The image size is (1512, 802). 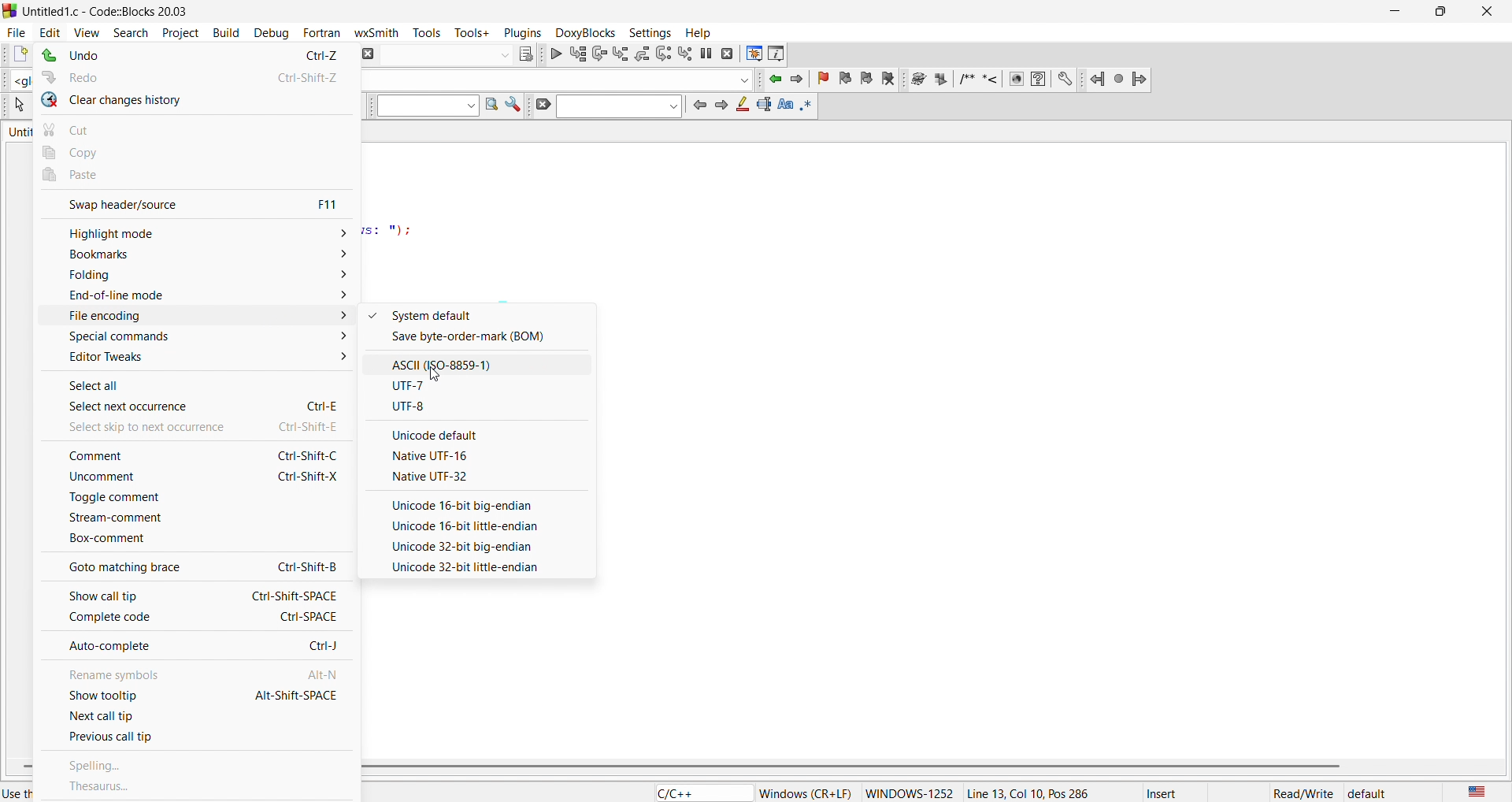 I want to click on option, so click(x=485, y=527).